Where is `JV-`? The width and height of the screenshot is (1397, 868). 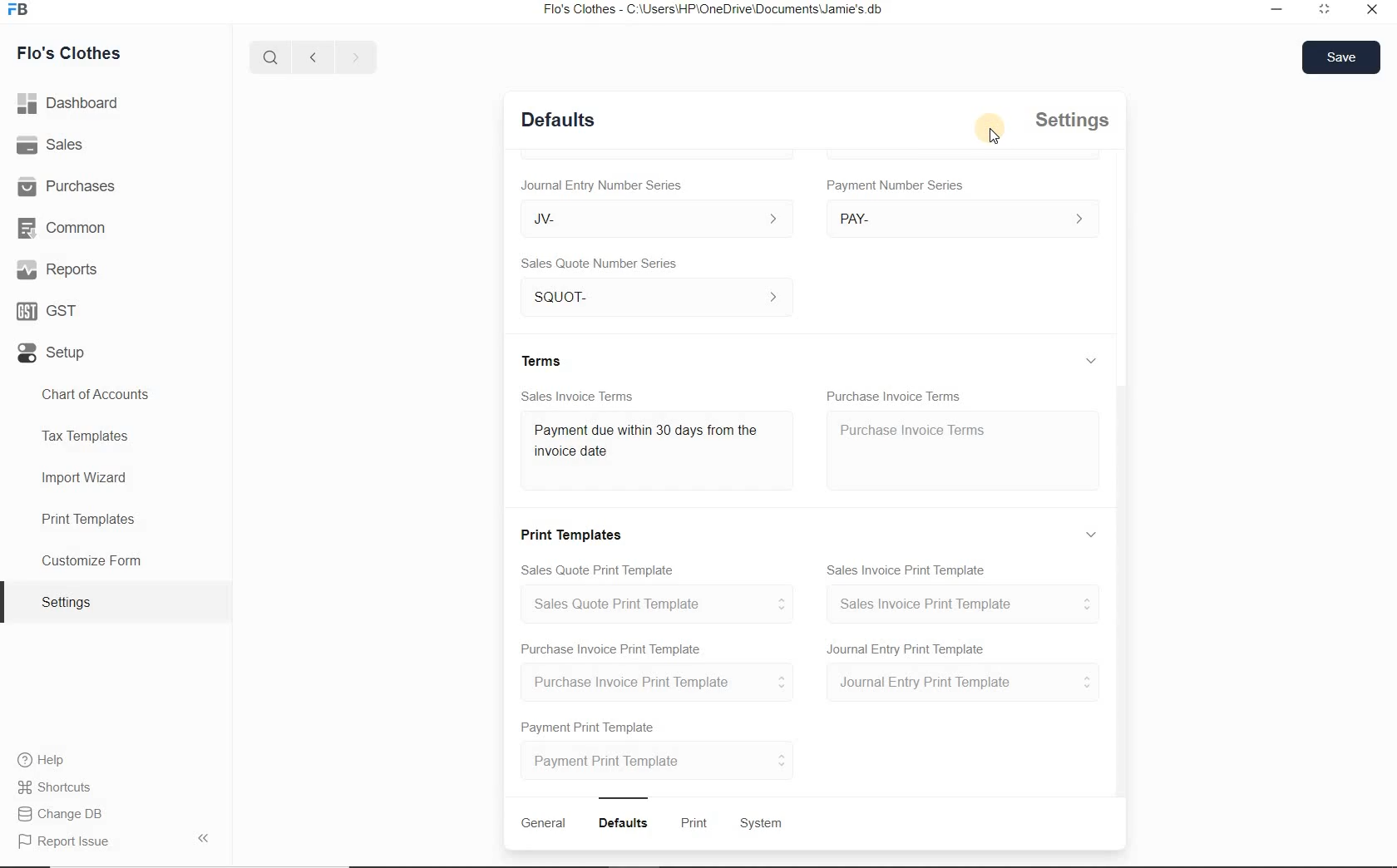 JV- is located at coordinates (656, 219).